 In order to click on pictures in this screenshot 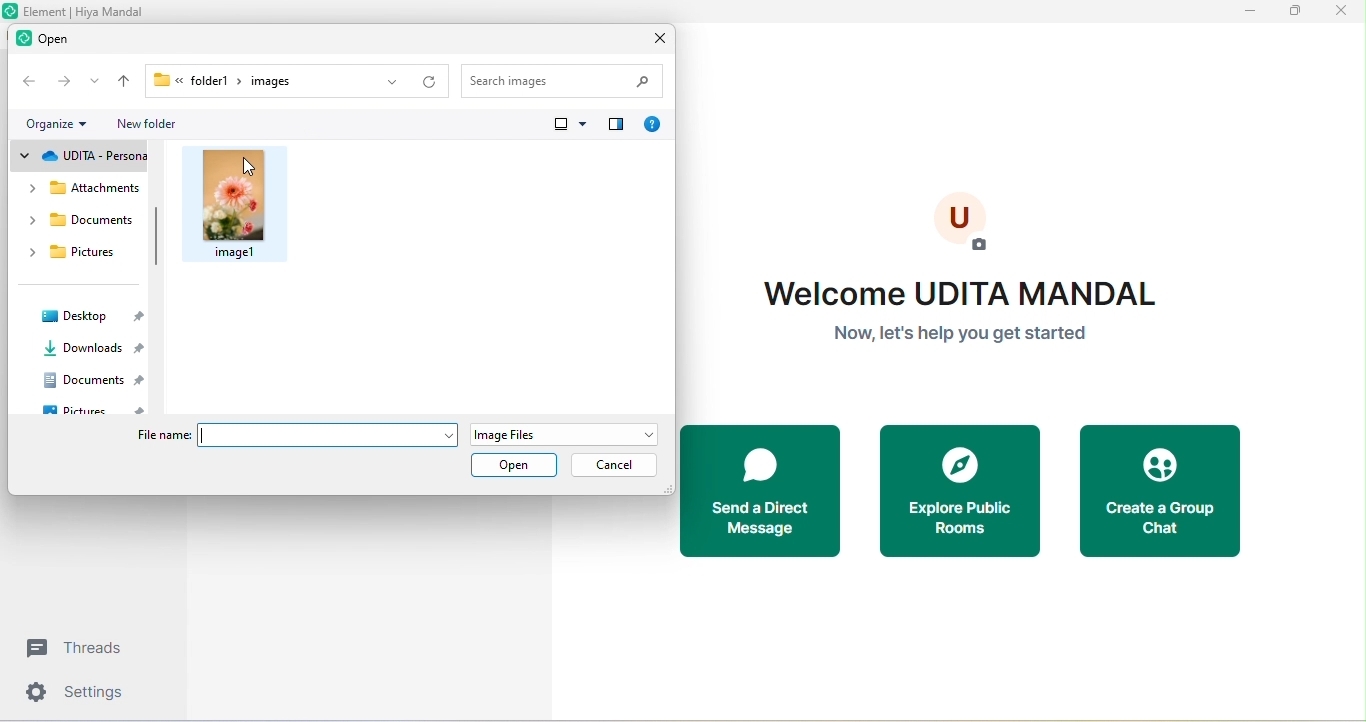, I will do `click(92, 410)`.